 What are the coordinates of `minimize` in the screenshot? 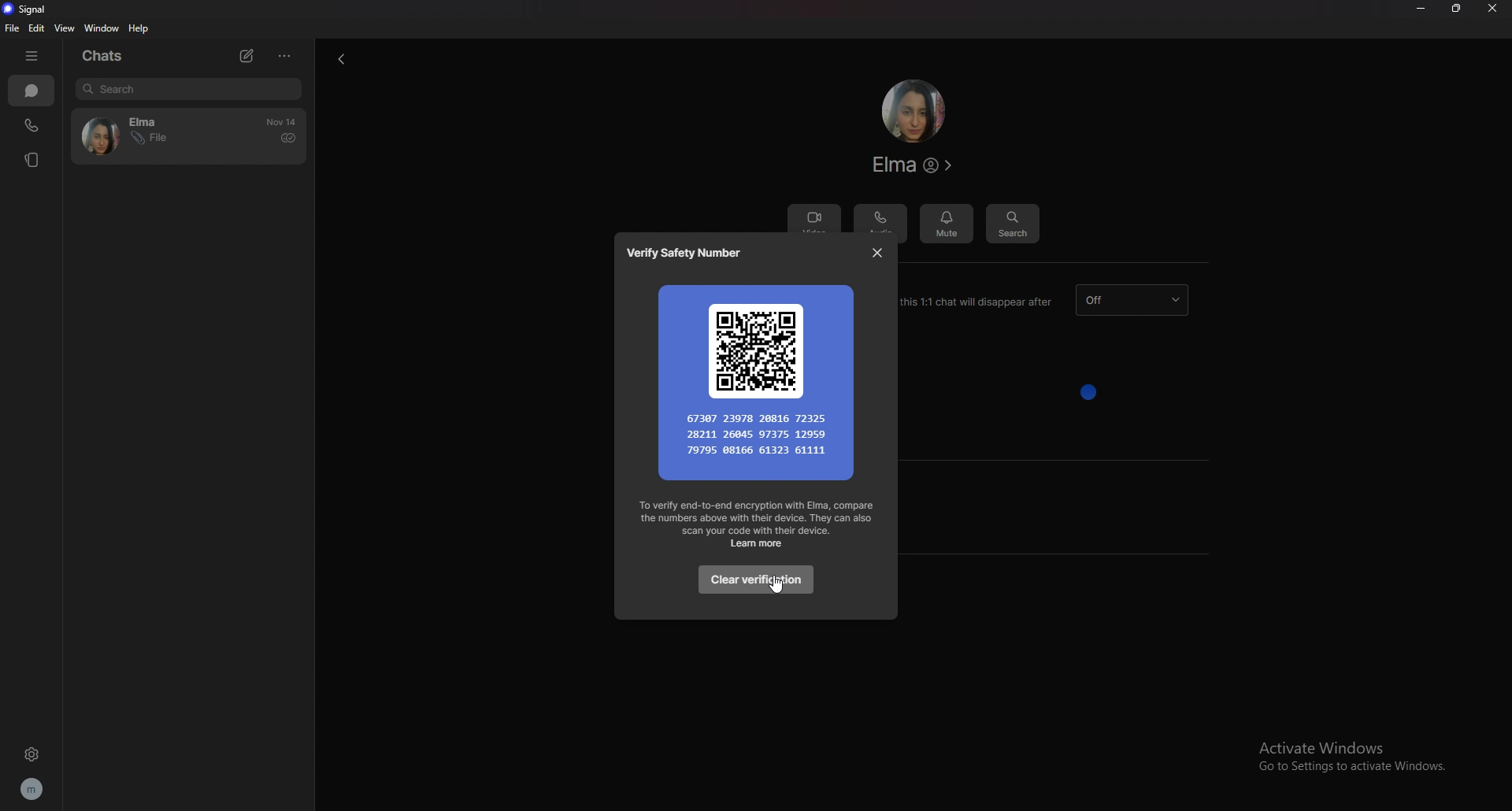 It's located at (1421, 8).